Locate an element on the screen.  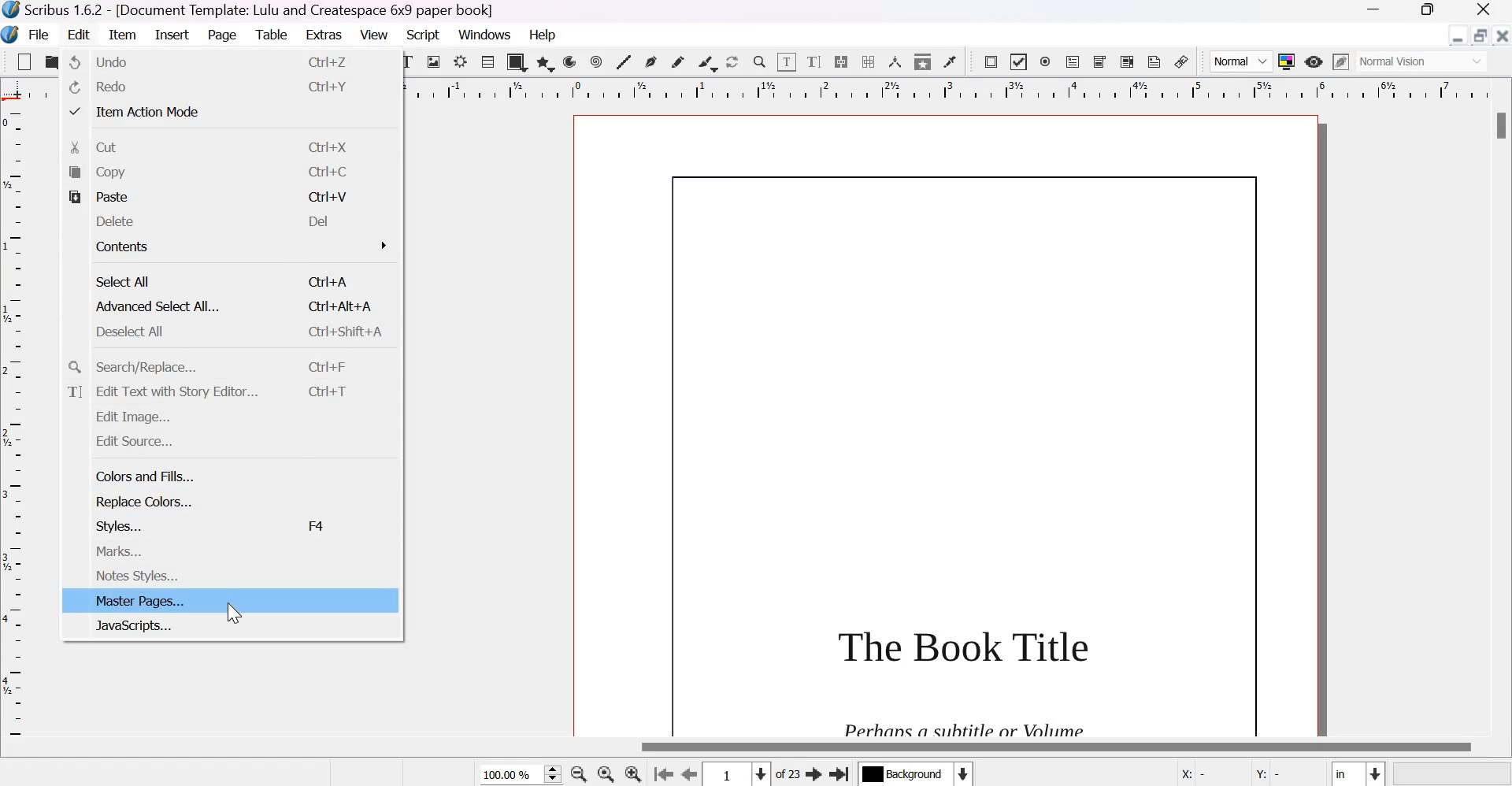
item action mode is located at coordinates (152, 115).